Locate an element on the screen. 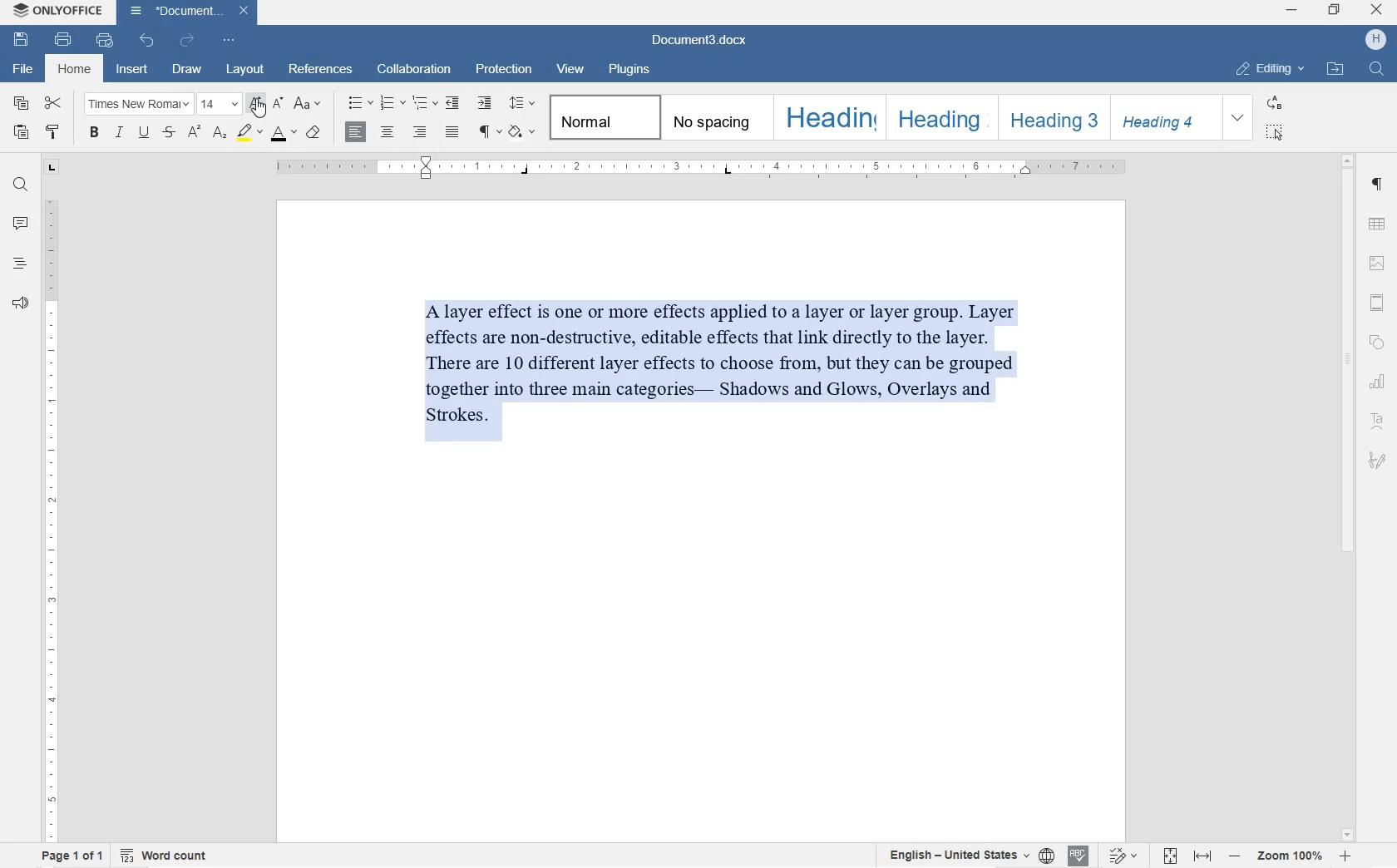 Image resolution: width=1397 pixels, height=868 pixels. OPEN FILE LOCATION is located at coordinates (1334, 68).